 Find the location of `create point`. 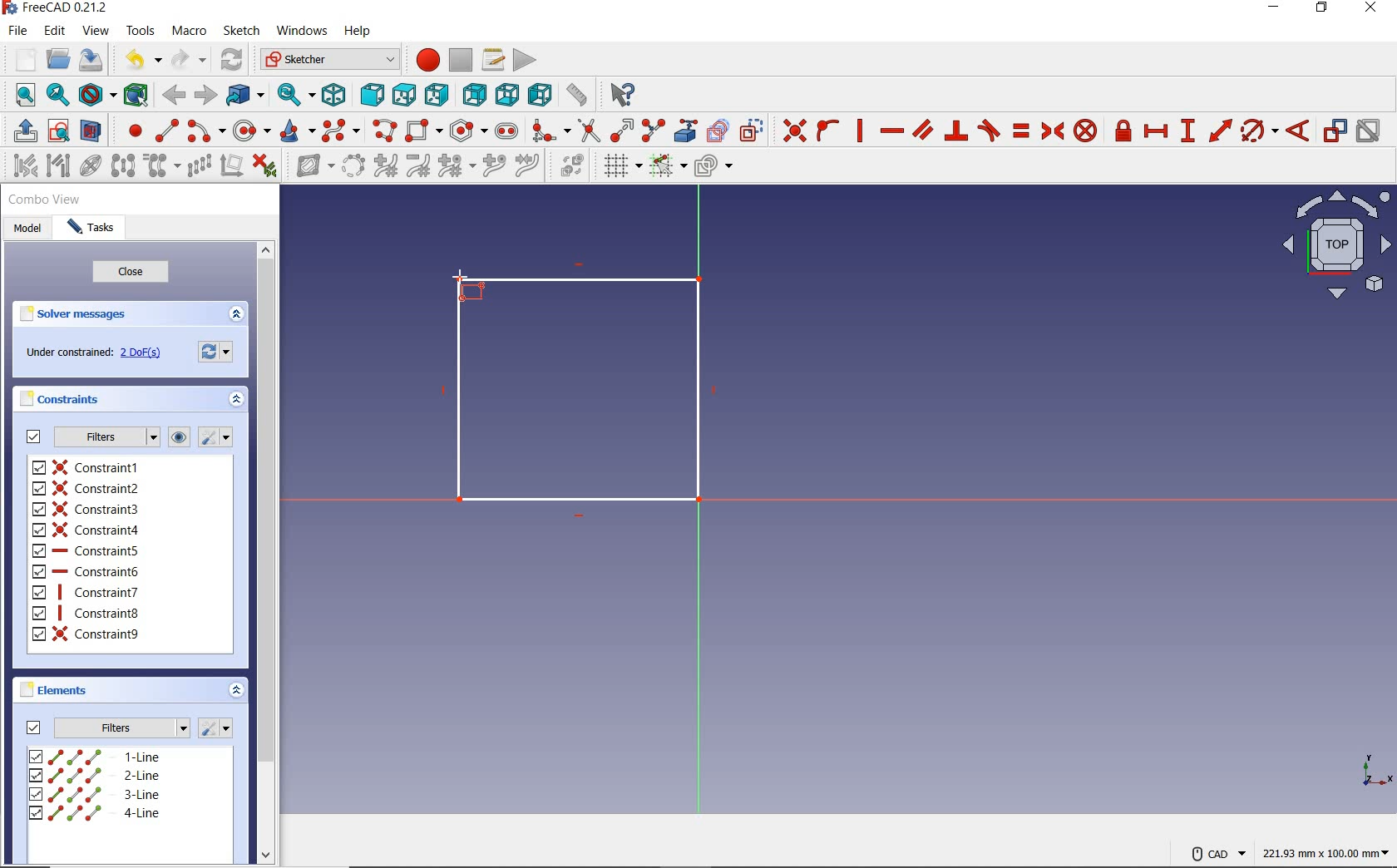

create point is located at coordinates (132, 131).